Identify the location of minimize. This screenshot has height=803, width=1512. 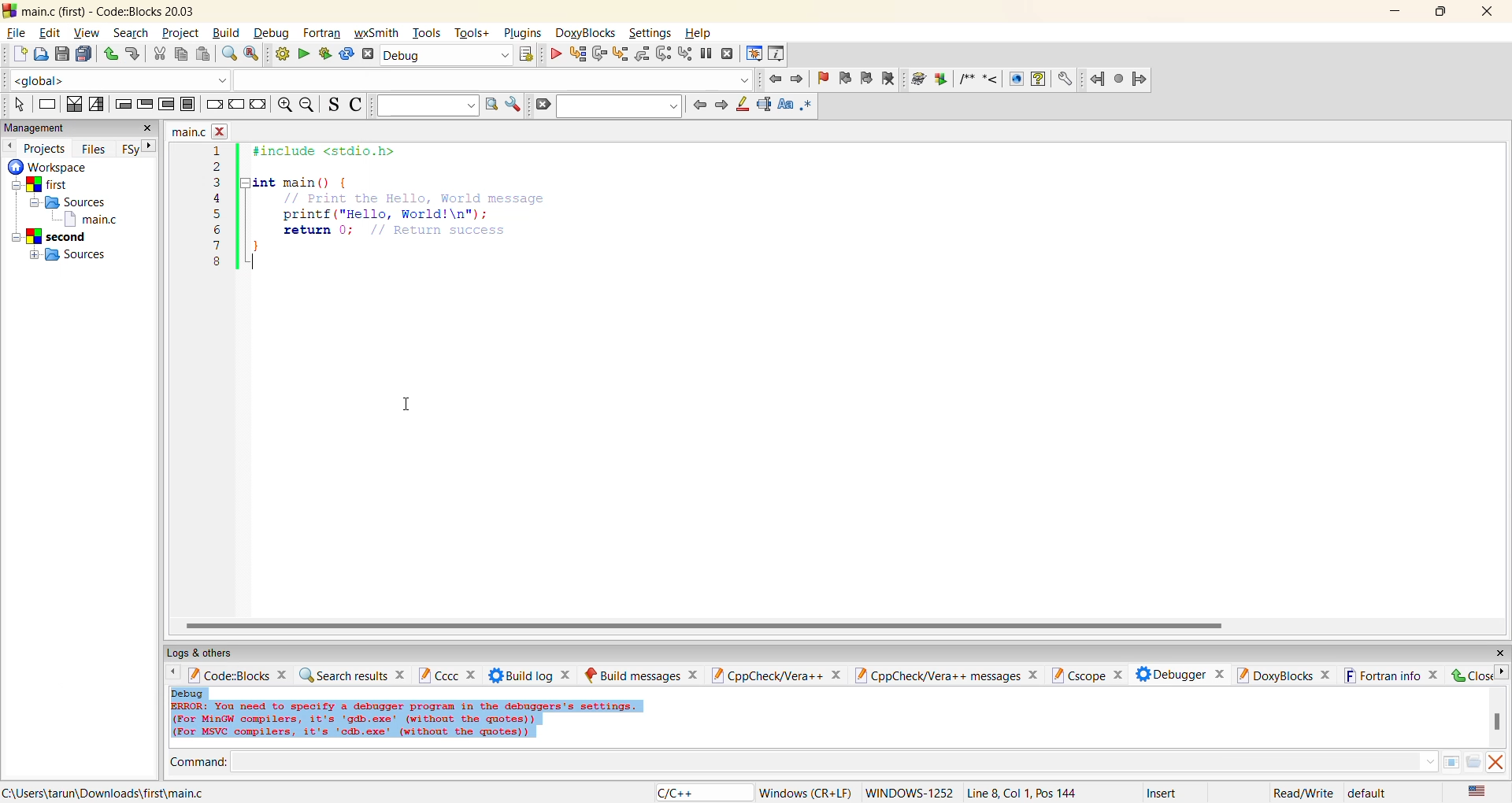
(1397, 12).